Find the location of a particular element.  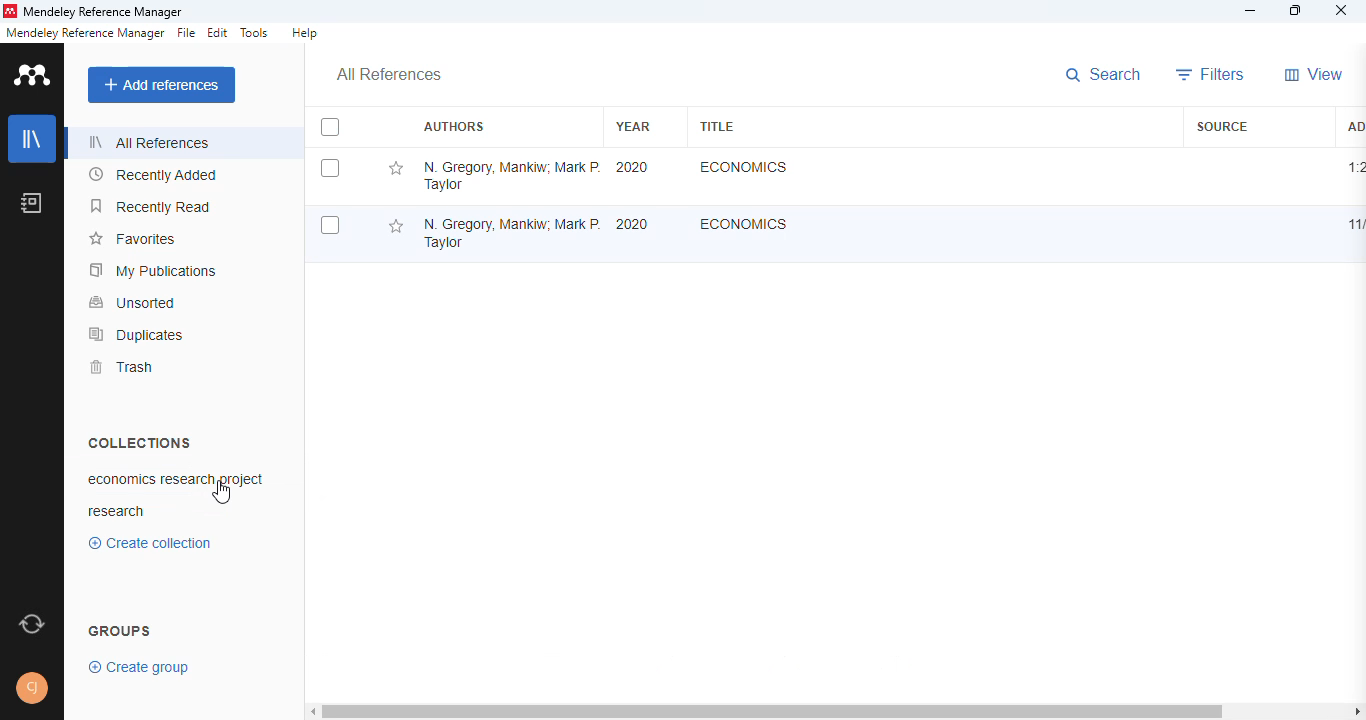

view is located at coordinates (1314, 74).